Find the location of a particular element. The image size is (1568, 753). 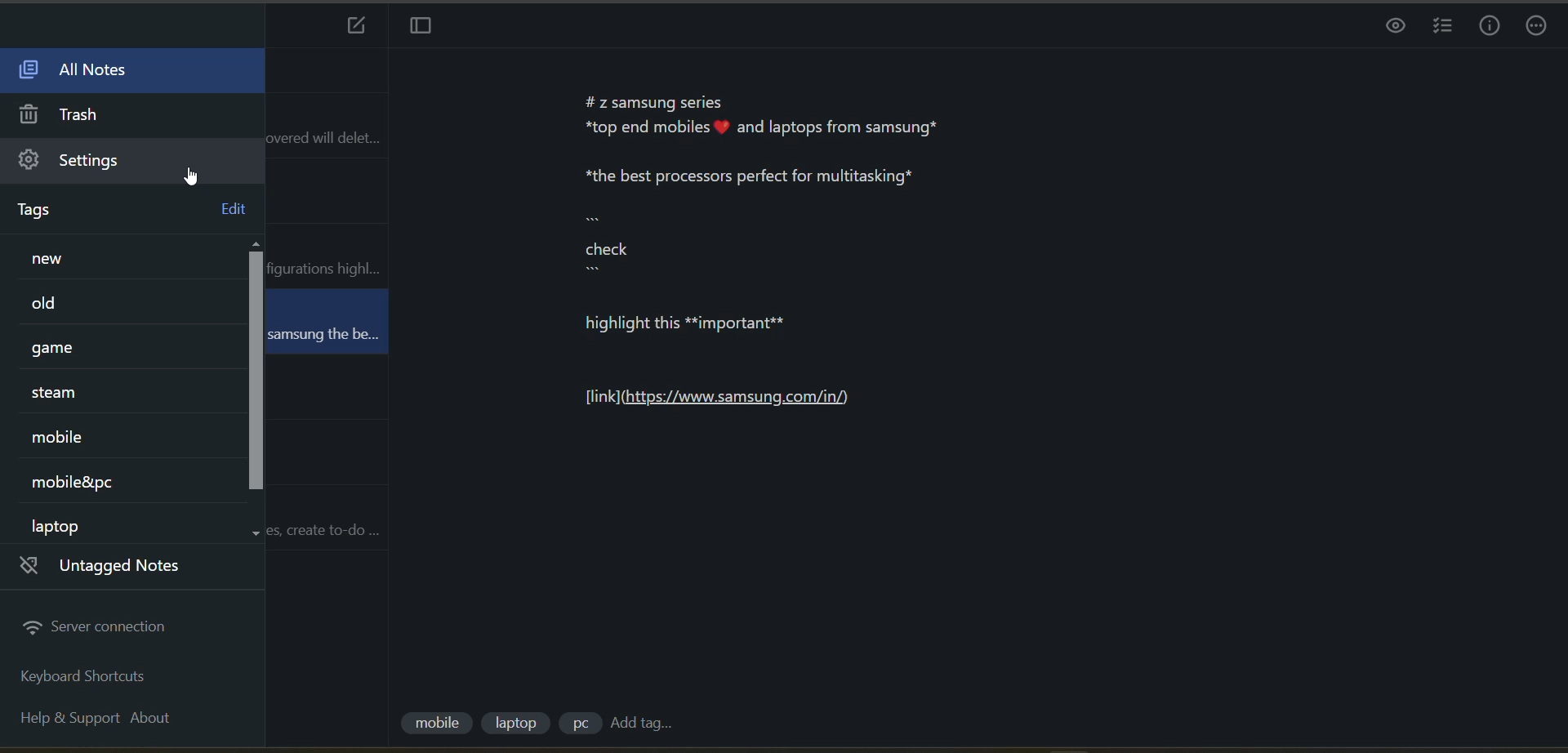

tag 2 is located at coordinates (517, 724).